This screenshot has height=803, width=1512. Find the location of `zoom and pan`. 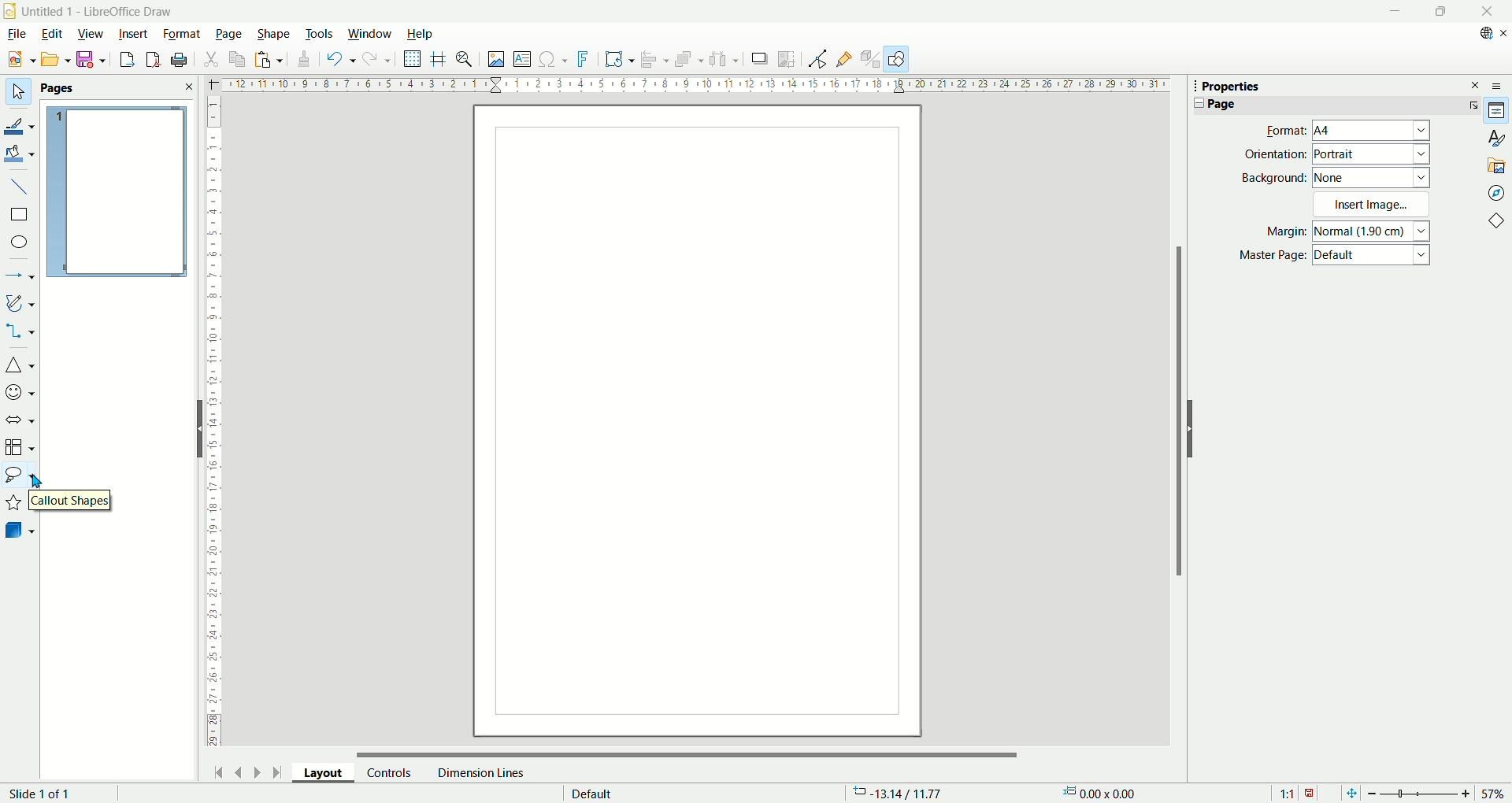

zoom and pan is located at coordinates (465, 61).